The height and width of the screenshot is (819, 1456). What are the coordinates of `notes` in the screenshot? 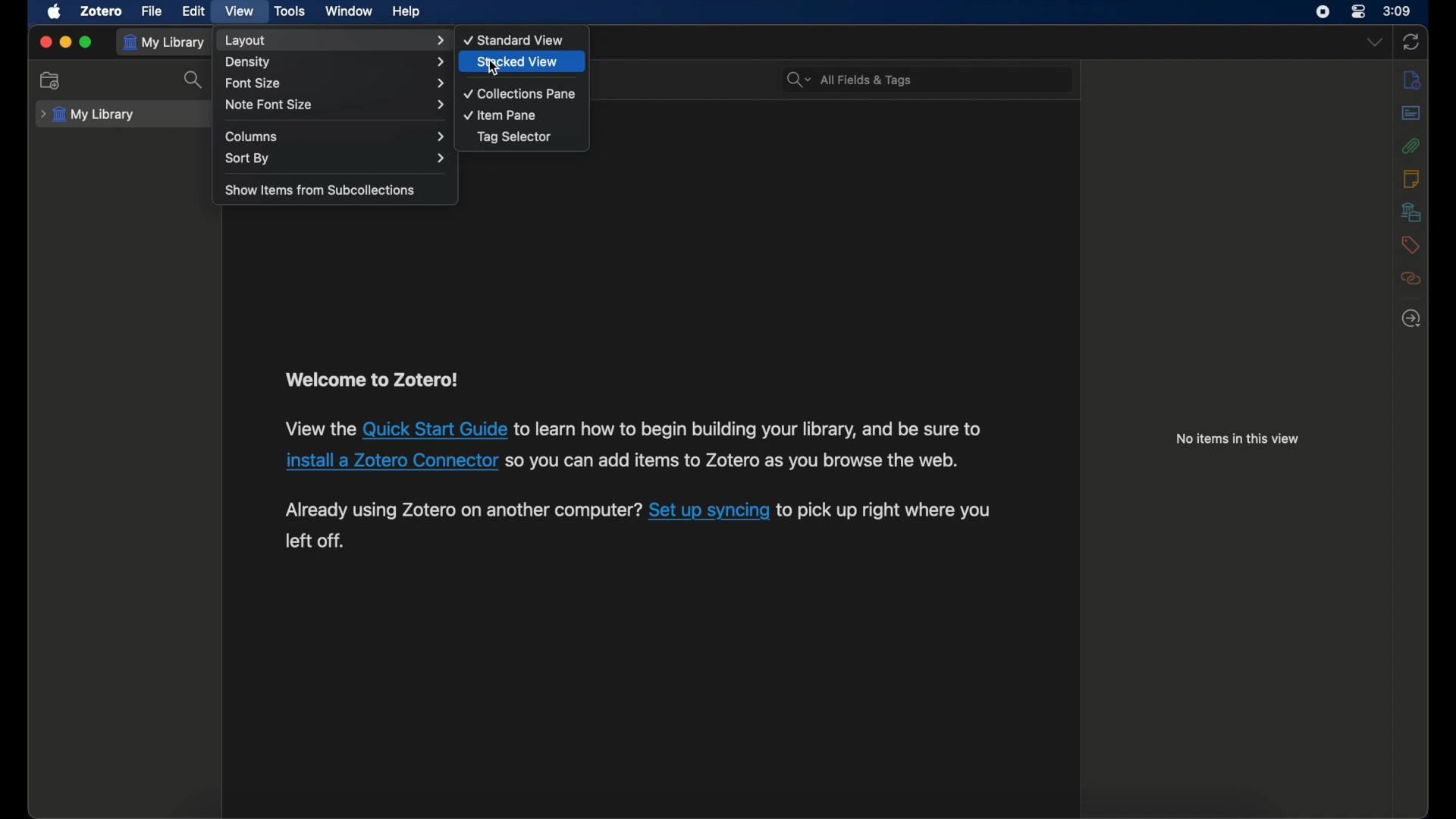 It's located at (1411, 178).